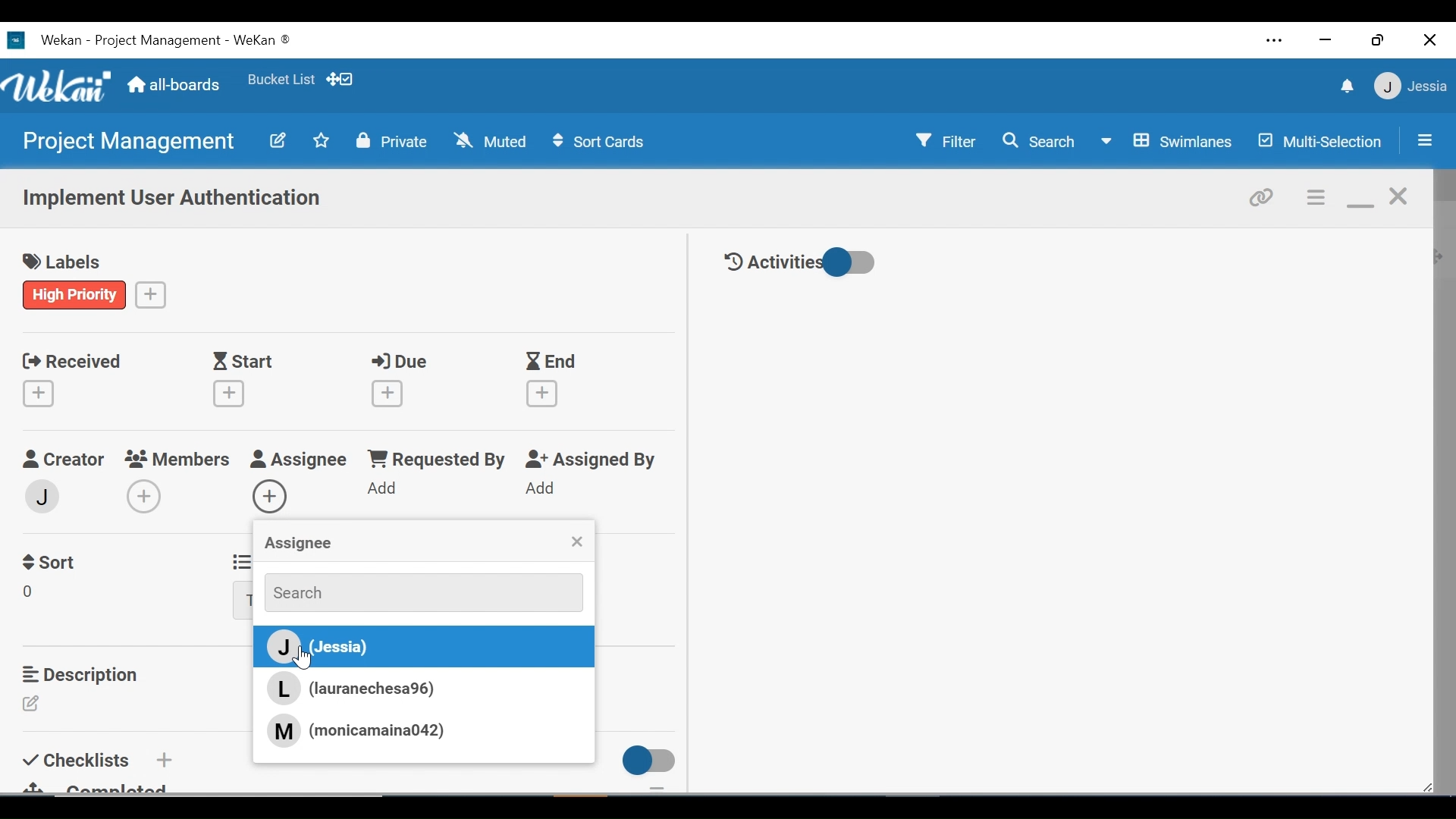  Describe the element at coordinates (43, 495) in the screenshot. I see `Member` at that location.